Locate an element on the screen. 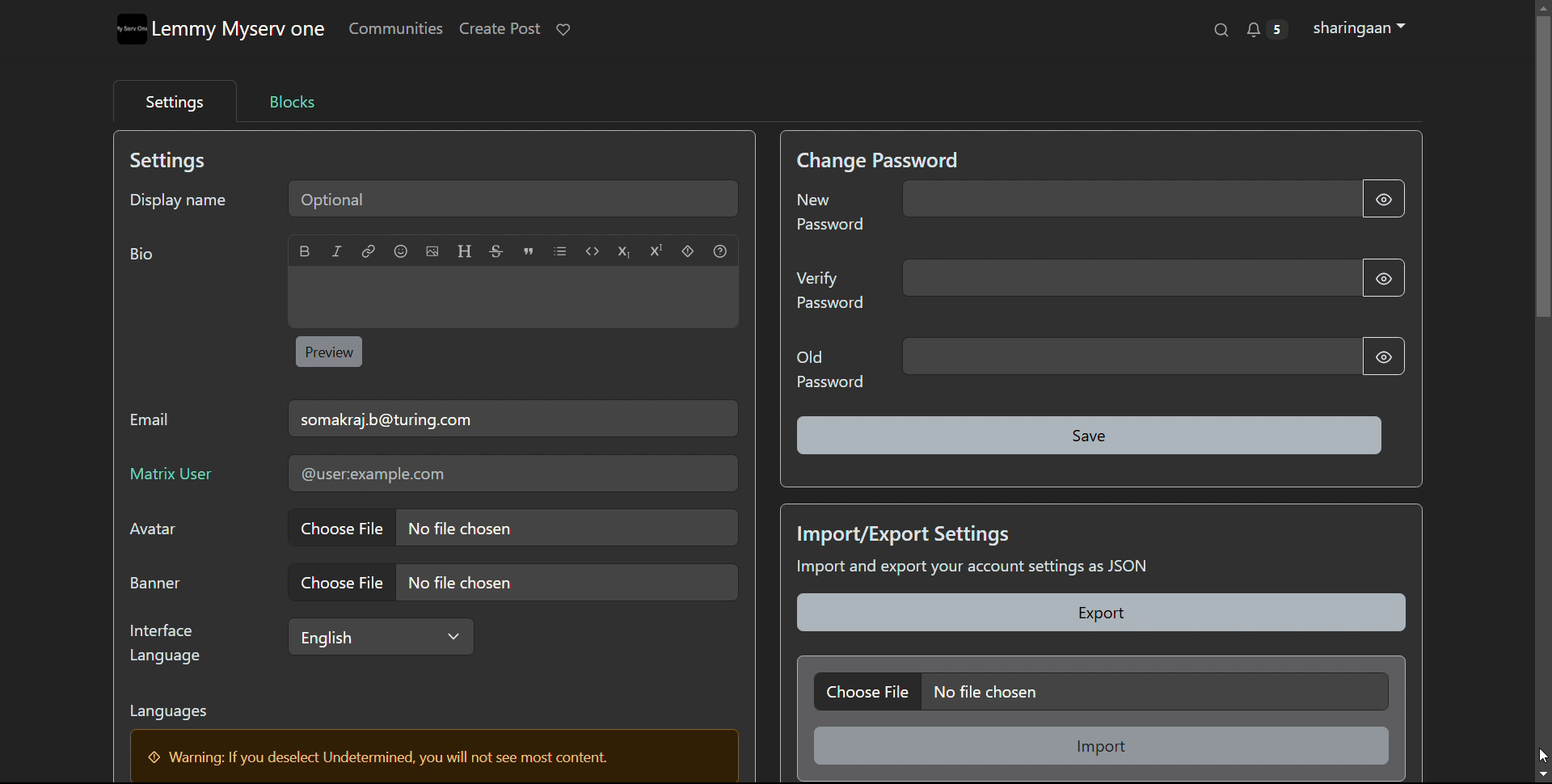  Languages is located at coordinates (172, 709).